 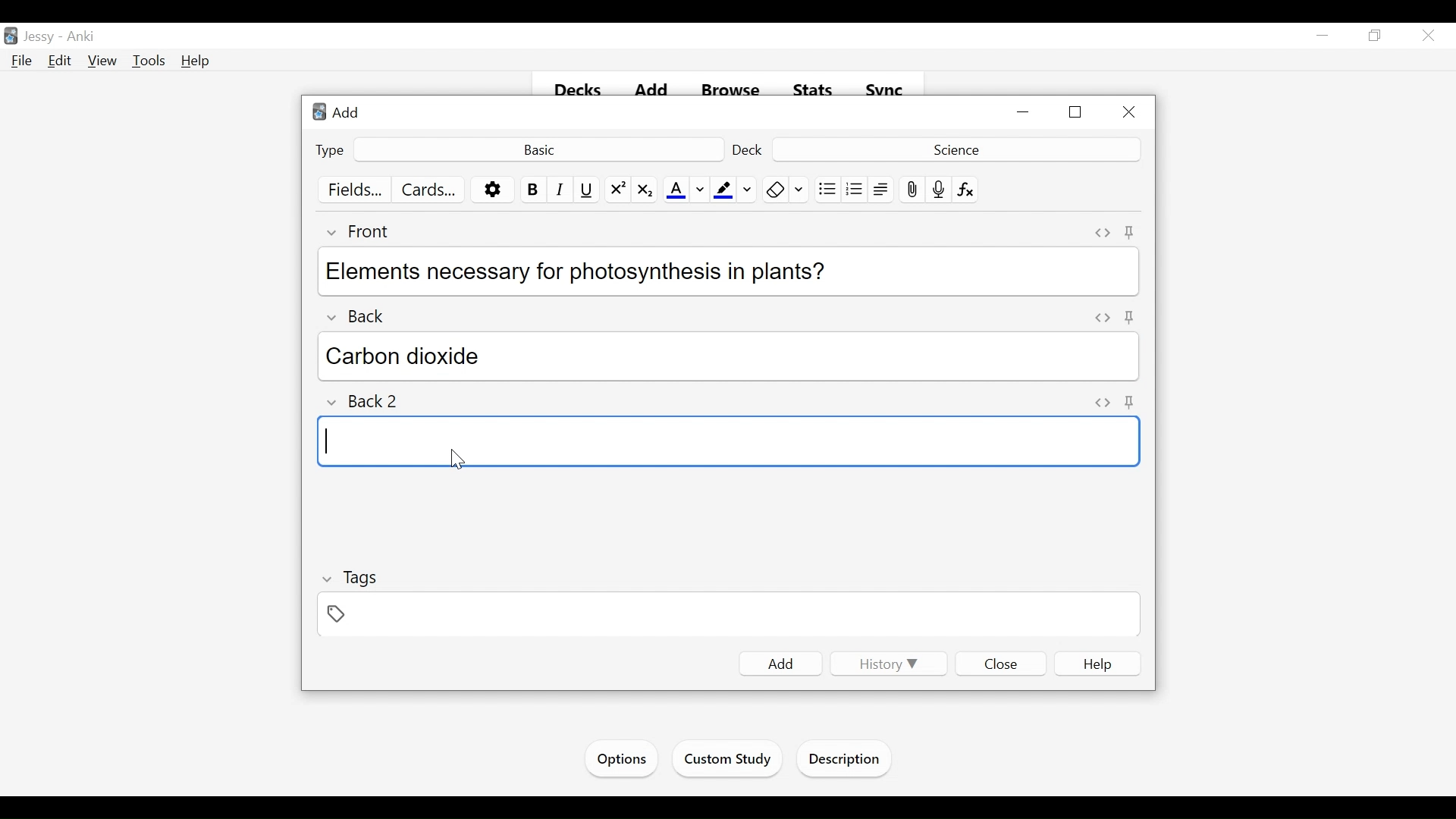 I want to click on Change color, so click(x=700, y=190).